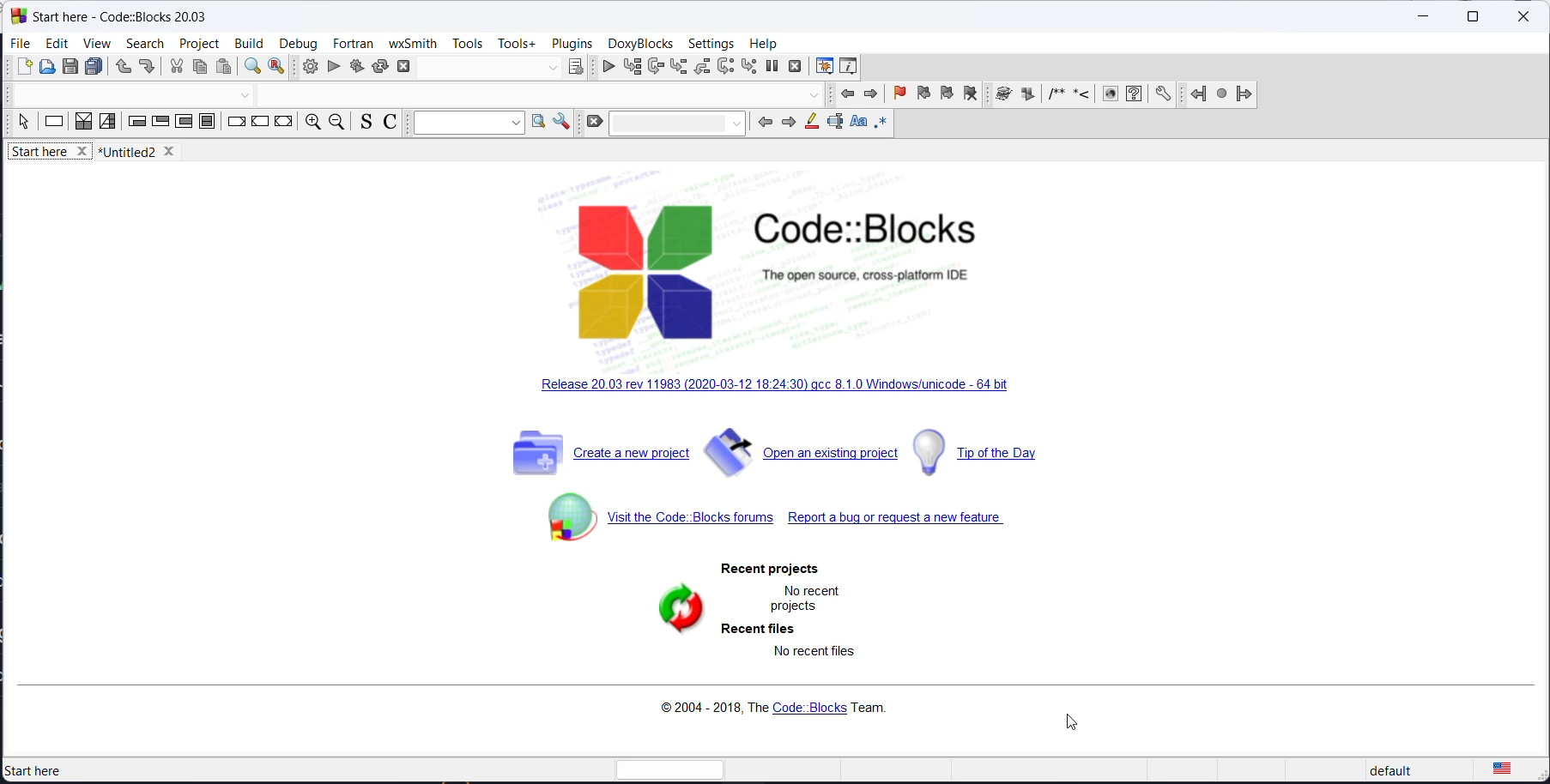  Describe the element at coordinates (808, 124) in the screenshot. I see `highlight` at that location.